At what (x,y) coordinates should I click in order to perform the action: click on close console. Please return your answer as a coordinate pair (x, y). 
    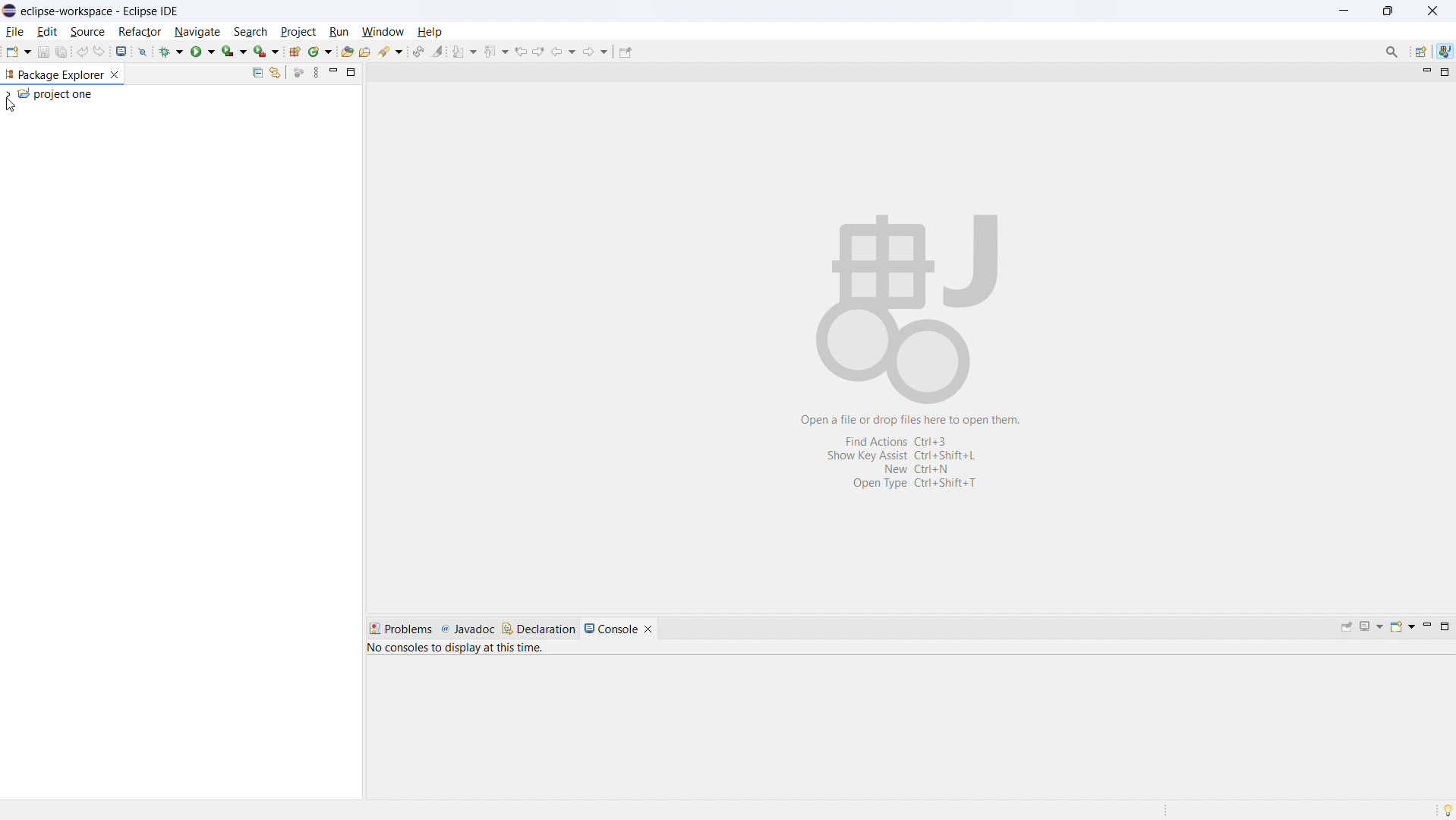
    Looking at the image, I should click on (652, 627).